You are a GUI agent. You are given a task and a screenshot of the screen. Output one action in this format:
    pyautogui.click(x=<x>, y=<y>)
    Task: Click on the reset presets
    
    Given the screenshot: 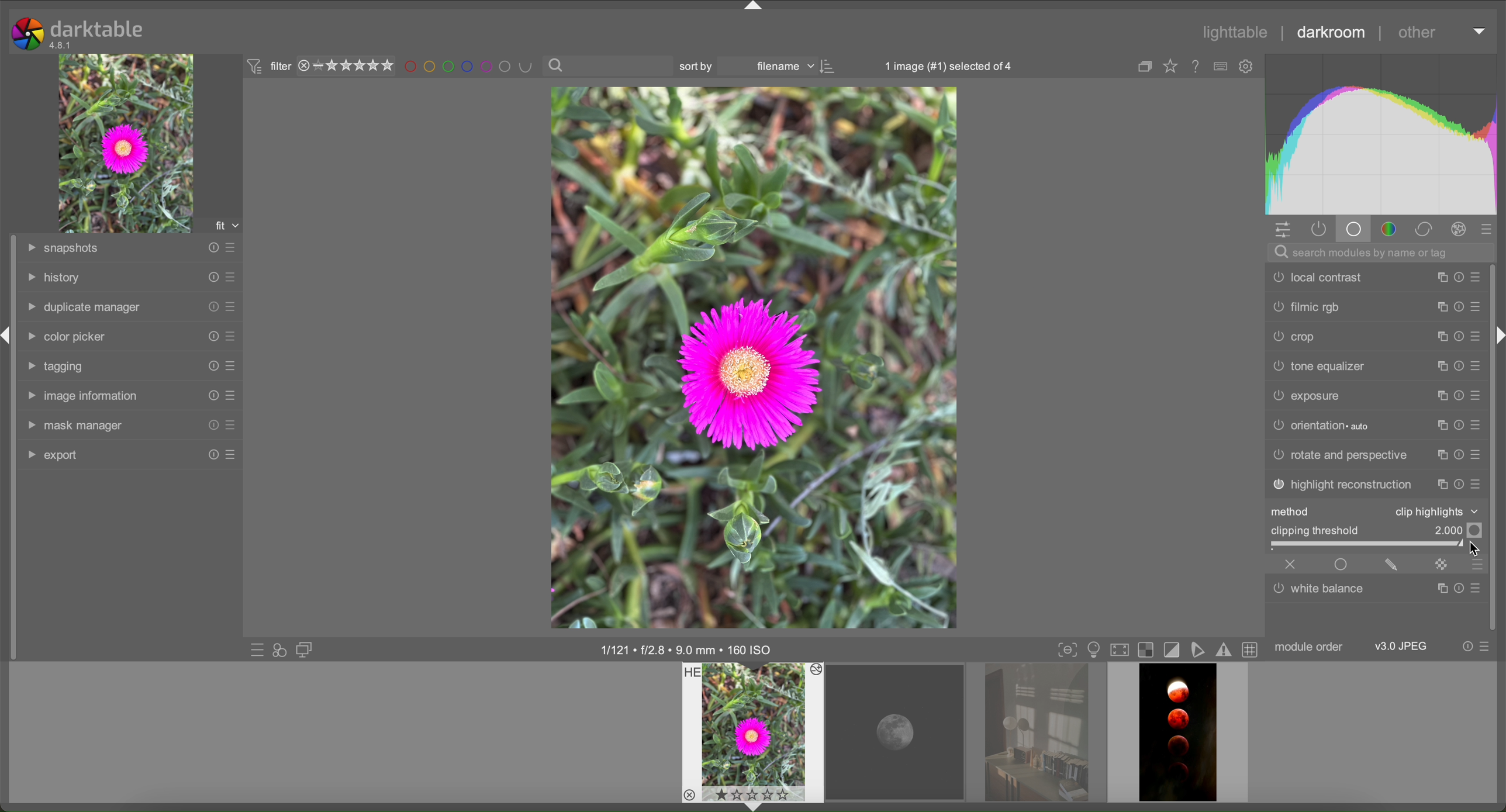 What is the action you would take?
    pyautogui.click(x=1456, y=278)
    